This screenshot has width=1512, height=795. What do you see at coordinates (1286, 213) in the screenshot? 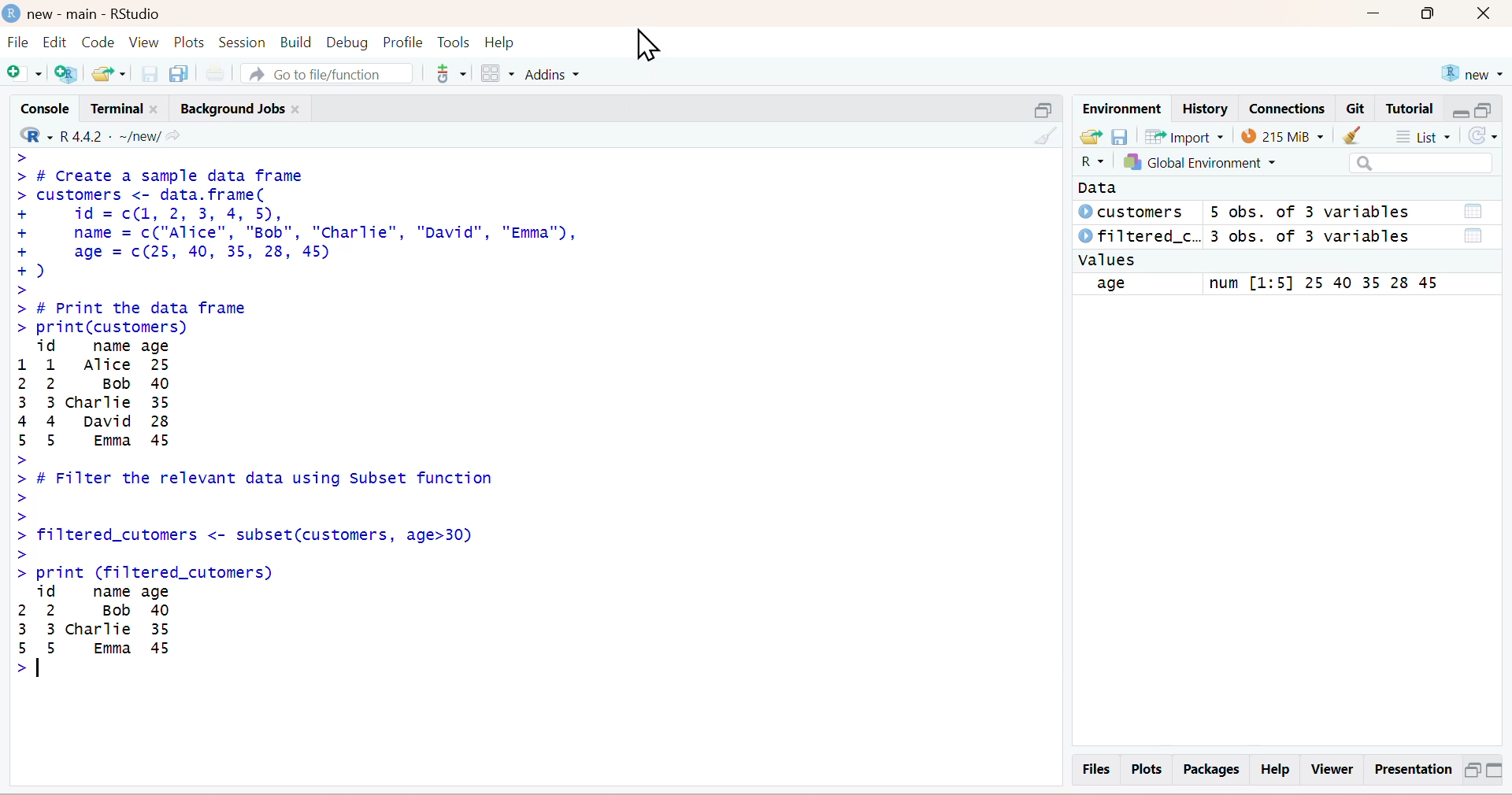
I see `© customers 5 obs. of 3 variables` at bounding box center [1286, 213].